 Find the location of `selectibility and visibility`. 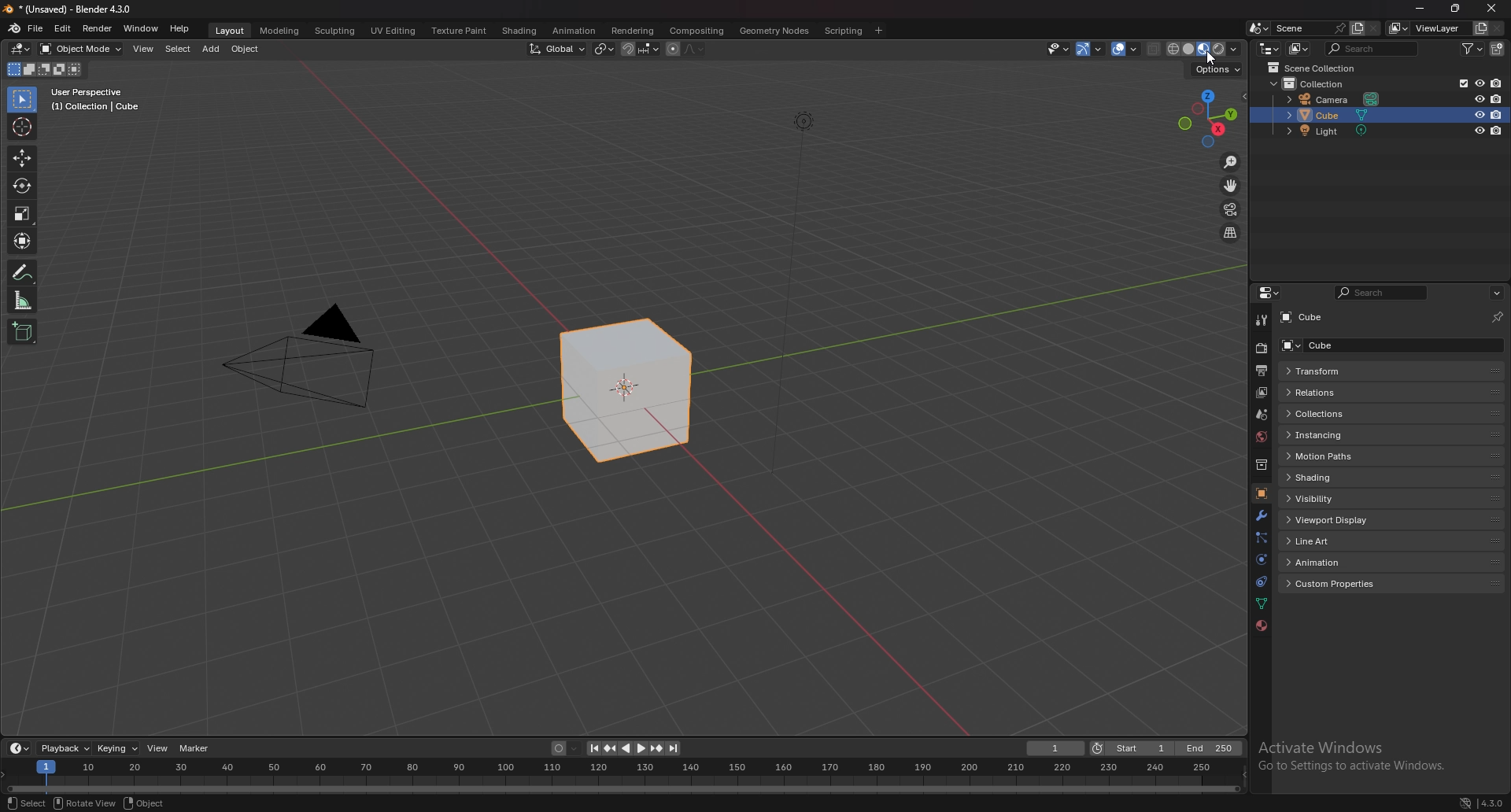

selectibility and visibility is located at coordinates (1058, 49).